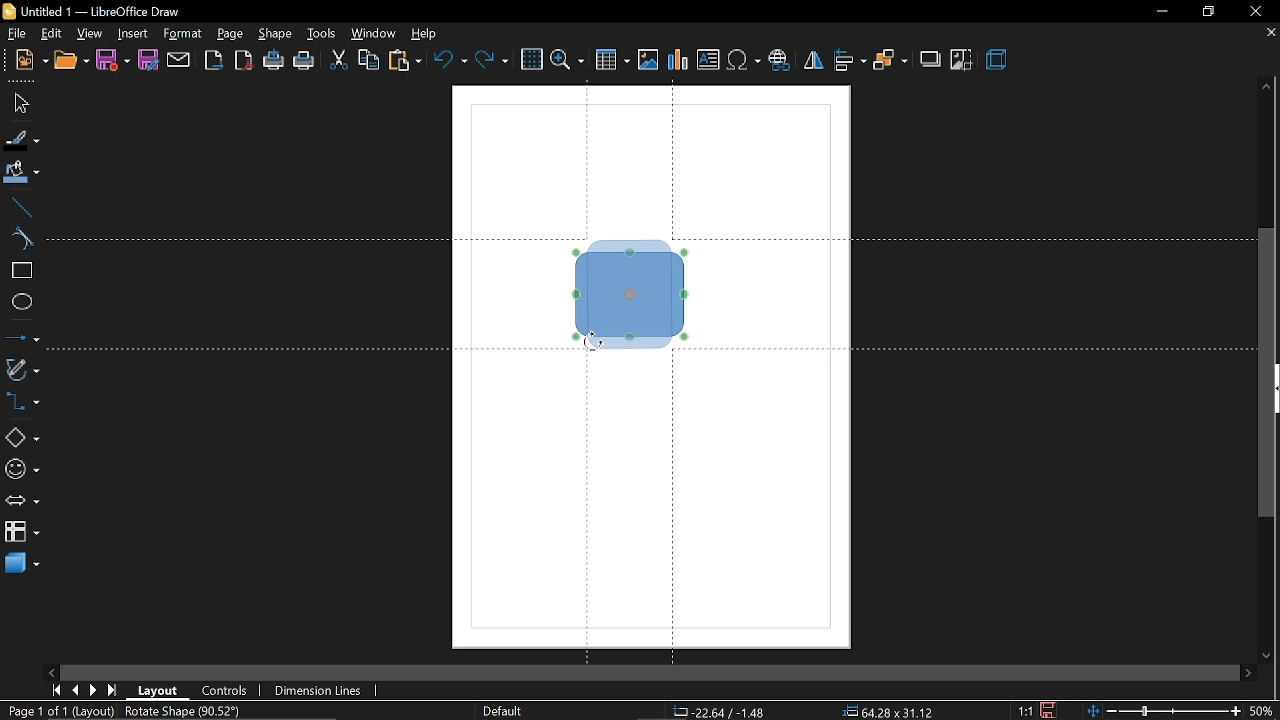 The width and height of the screenshot is (1280, 720). Describe the element at coordinates (184, 711) in the screenshot. I see `Rotate shape(90.52)` at that location.